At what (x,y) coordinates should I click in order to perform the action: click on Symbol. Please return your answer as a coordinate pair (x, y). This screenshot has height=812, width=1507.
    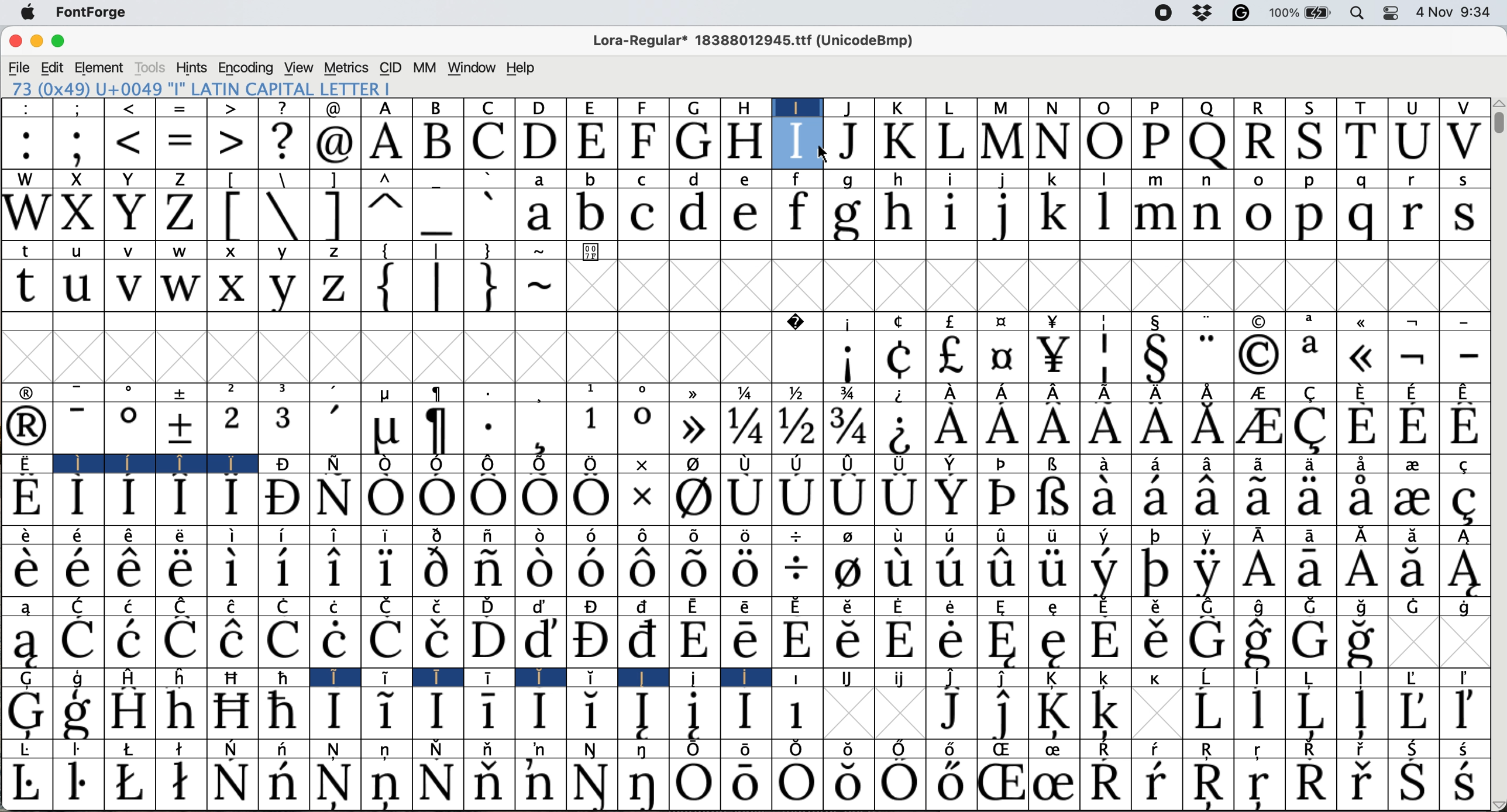
    Looking at the image, I should click on (1208, 465).